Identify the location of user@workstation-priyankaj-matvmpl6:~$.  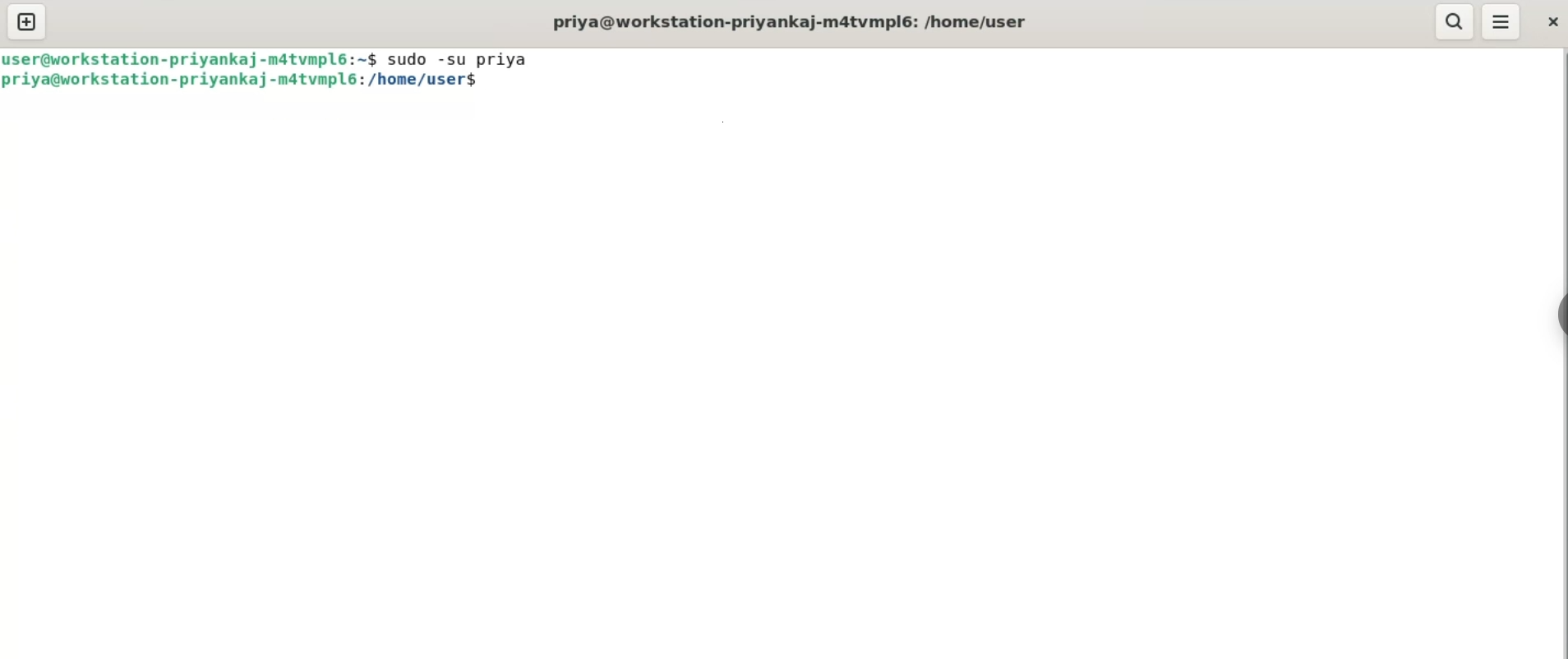
(191, 58).